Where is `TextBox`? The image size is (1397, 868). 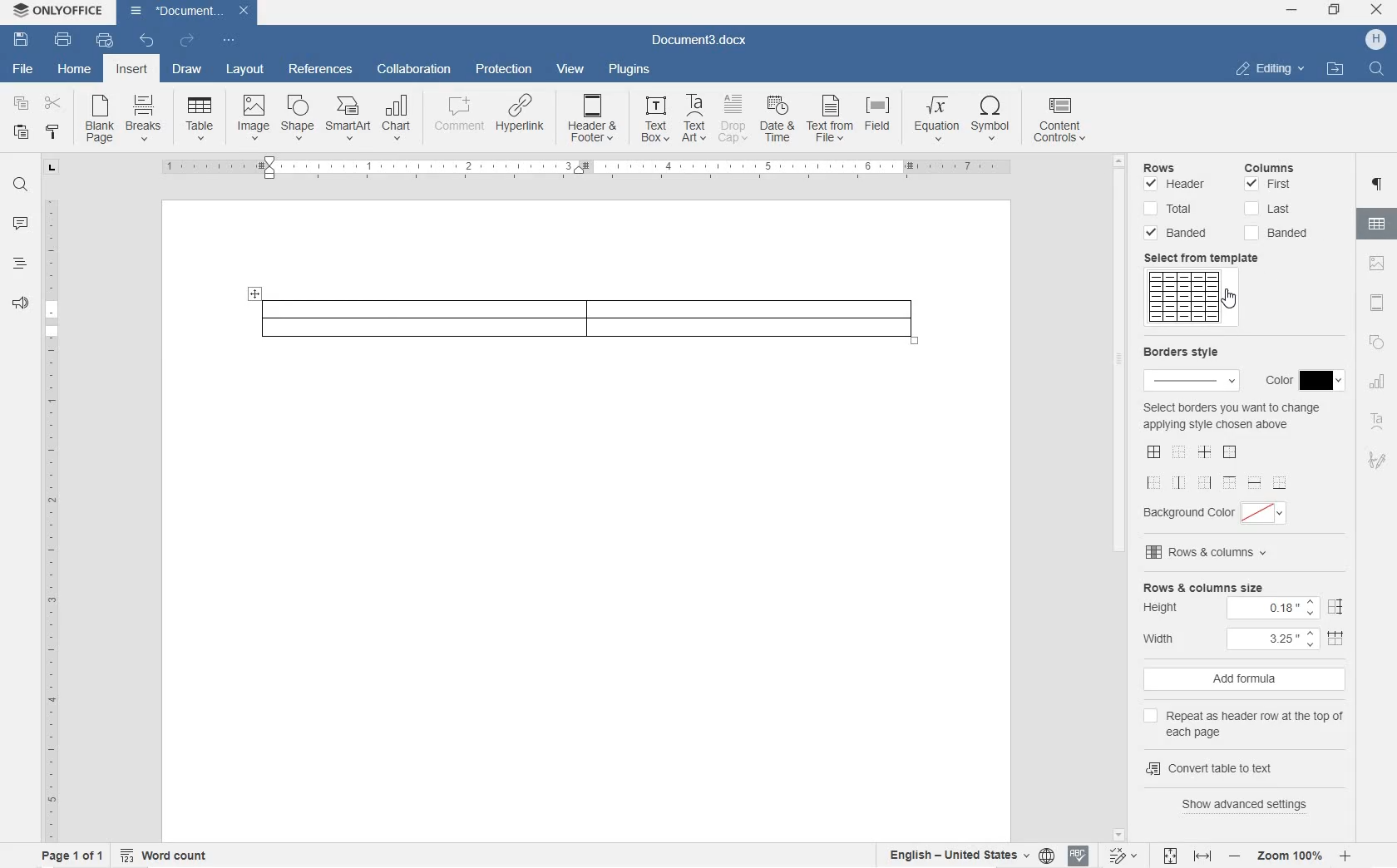
TextBox is located at coordinates (650, 119).